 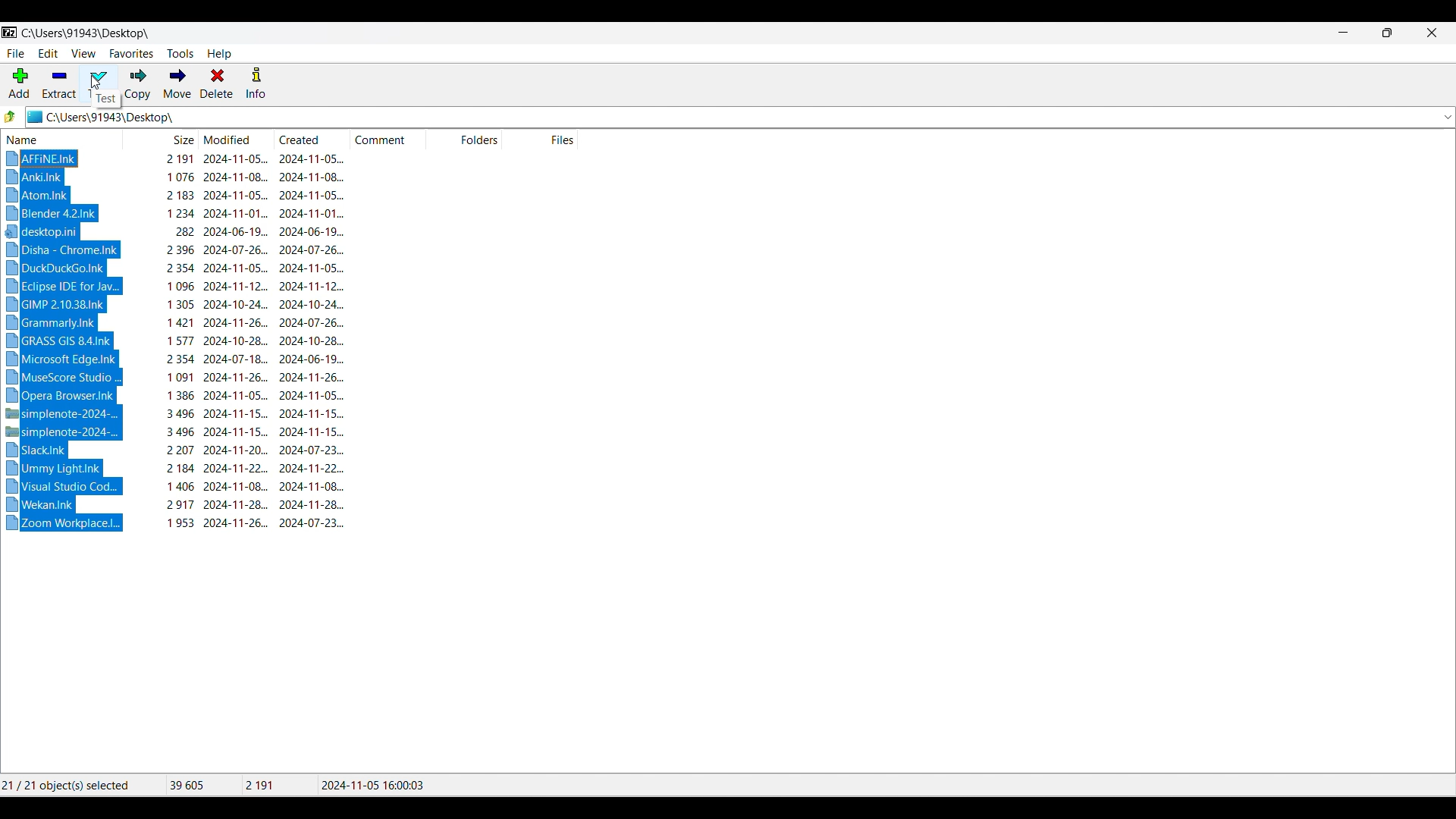 I want to click on Description of icon highlighted by cursor, so click(x=106, y=99).